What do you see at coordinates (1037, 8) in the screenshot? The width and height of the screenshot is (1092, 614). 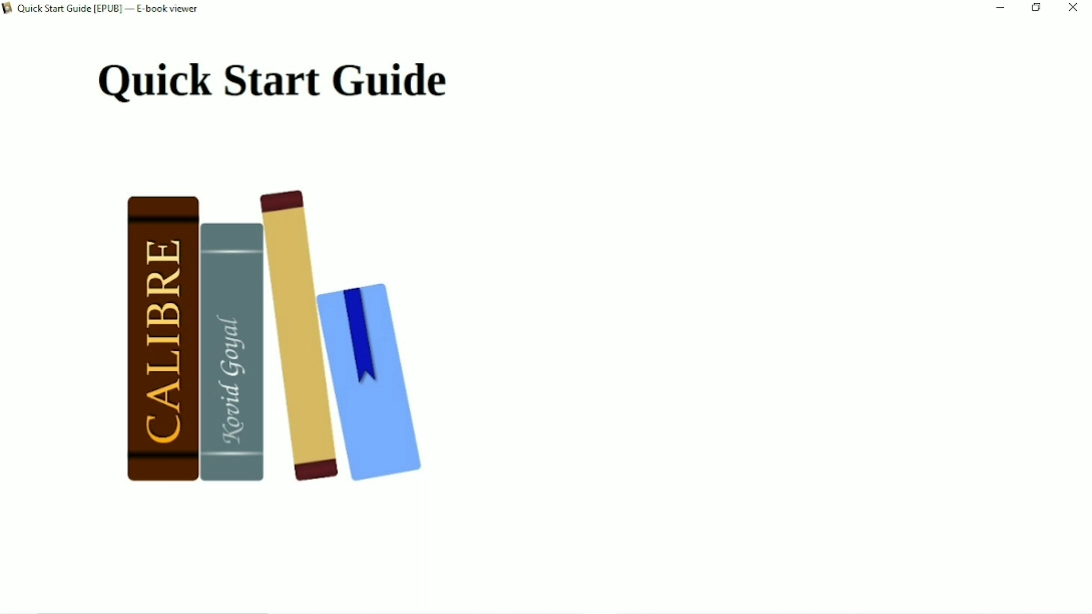 I see `Restore down` at bounding box center [1037, 8].